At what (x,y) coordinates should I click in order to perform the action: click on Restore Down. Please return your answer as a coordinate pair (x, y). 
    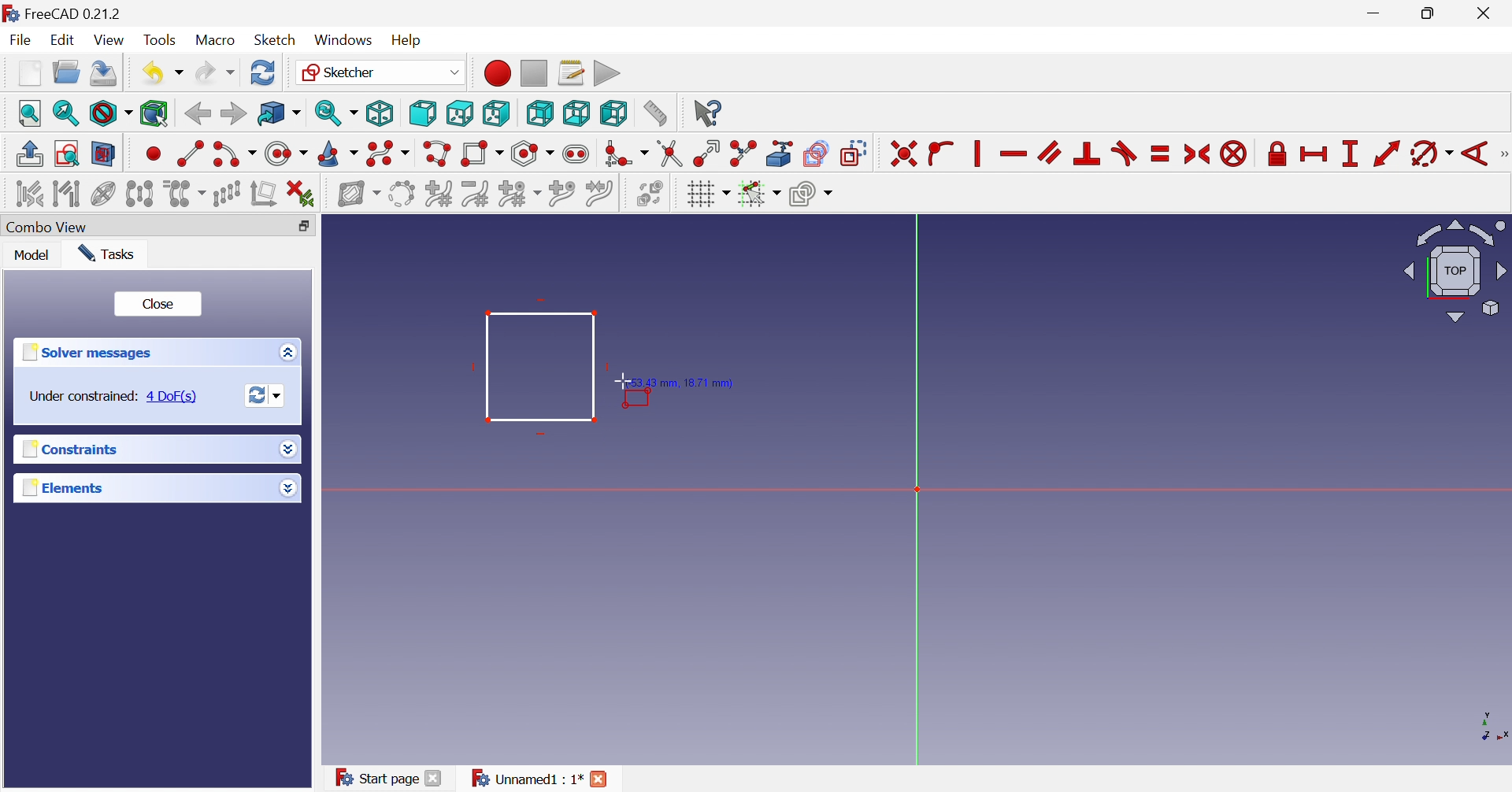
    Looking at the image, I should click on (1432, 15).